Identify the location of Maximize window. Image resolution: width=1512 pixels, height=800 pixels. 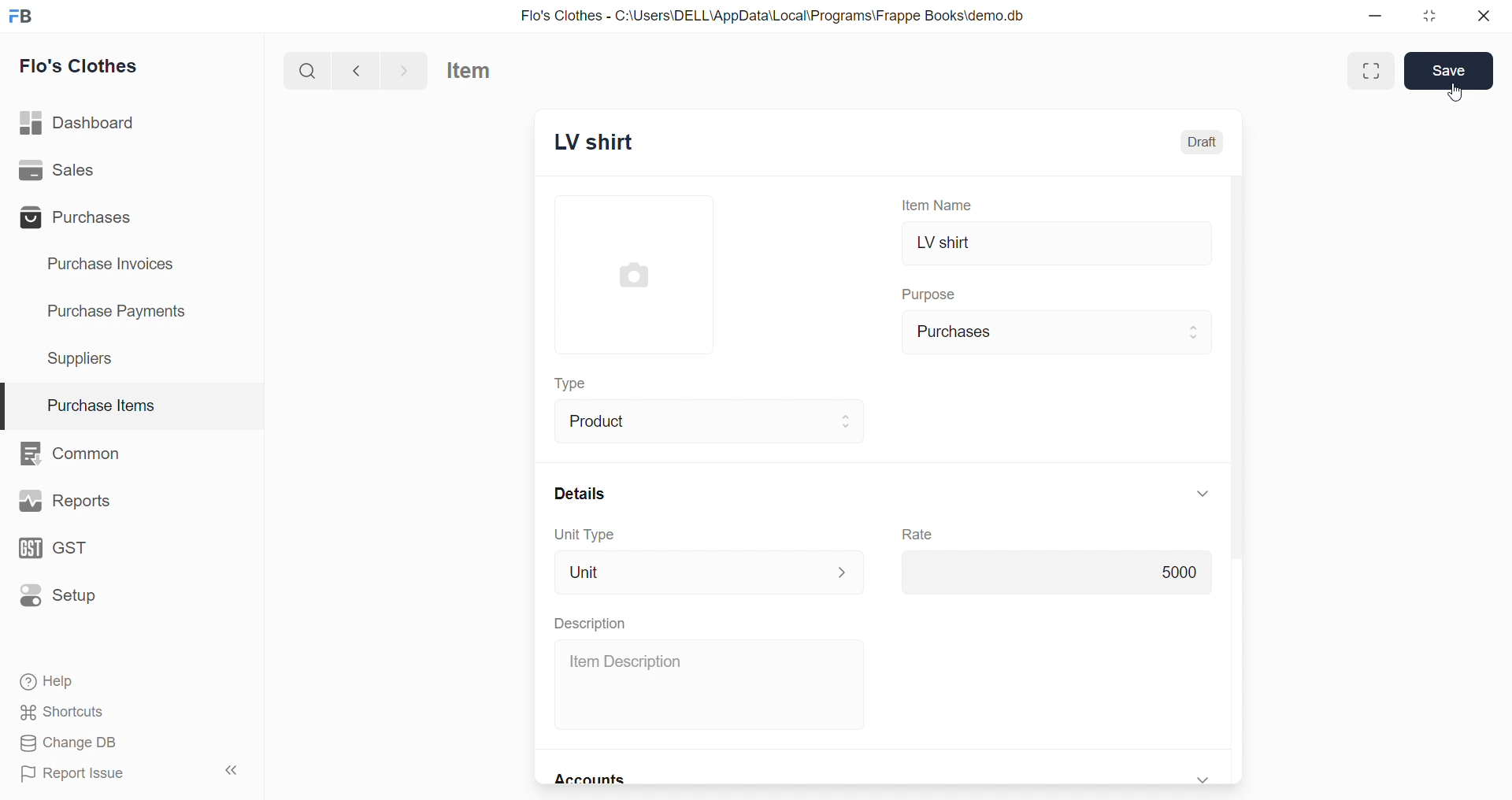
(1373, 71).